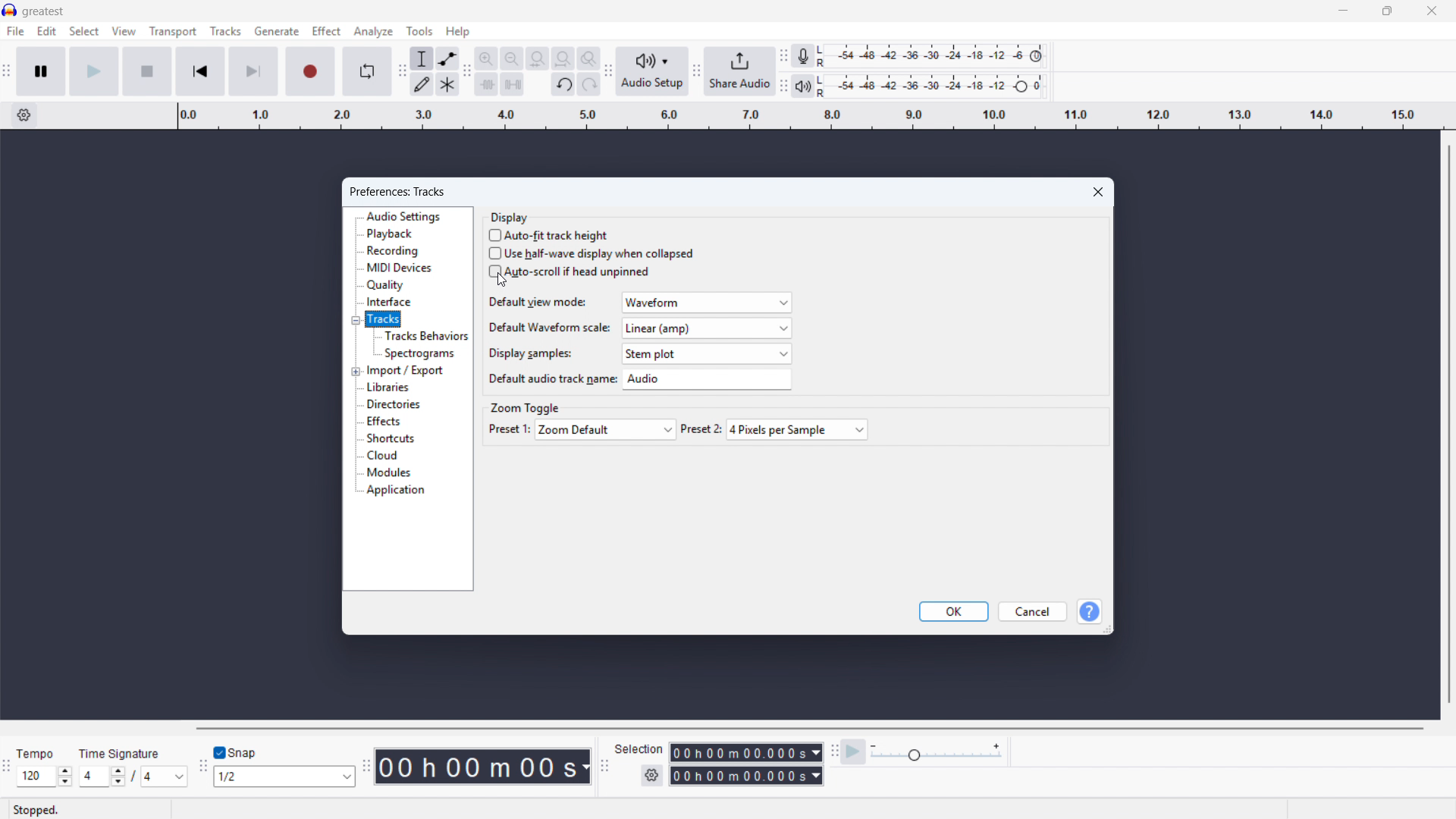  Describe the element at coordinates (284, 776) in the screenshot. I see `Select snapping ` at that location.